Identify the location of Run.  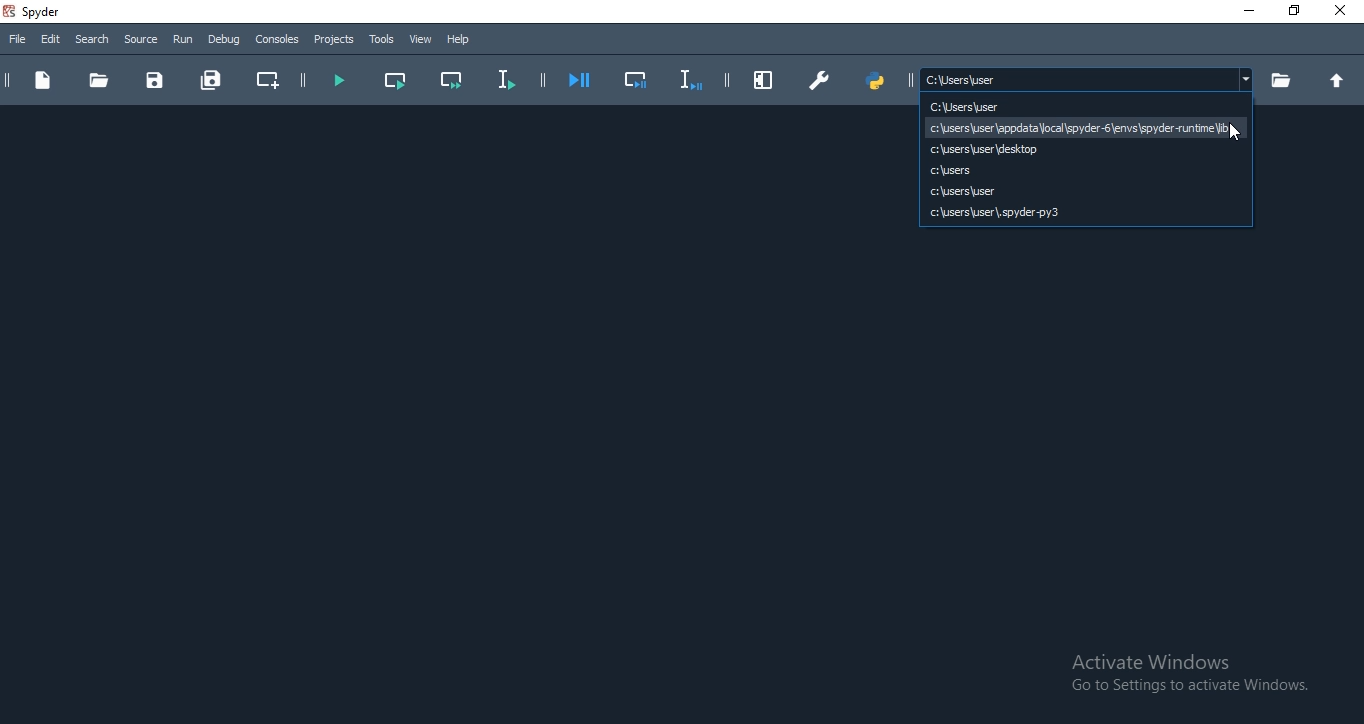
(182, 40).